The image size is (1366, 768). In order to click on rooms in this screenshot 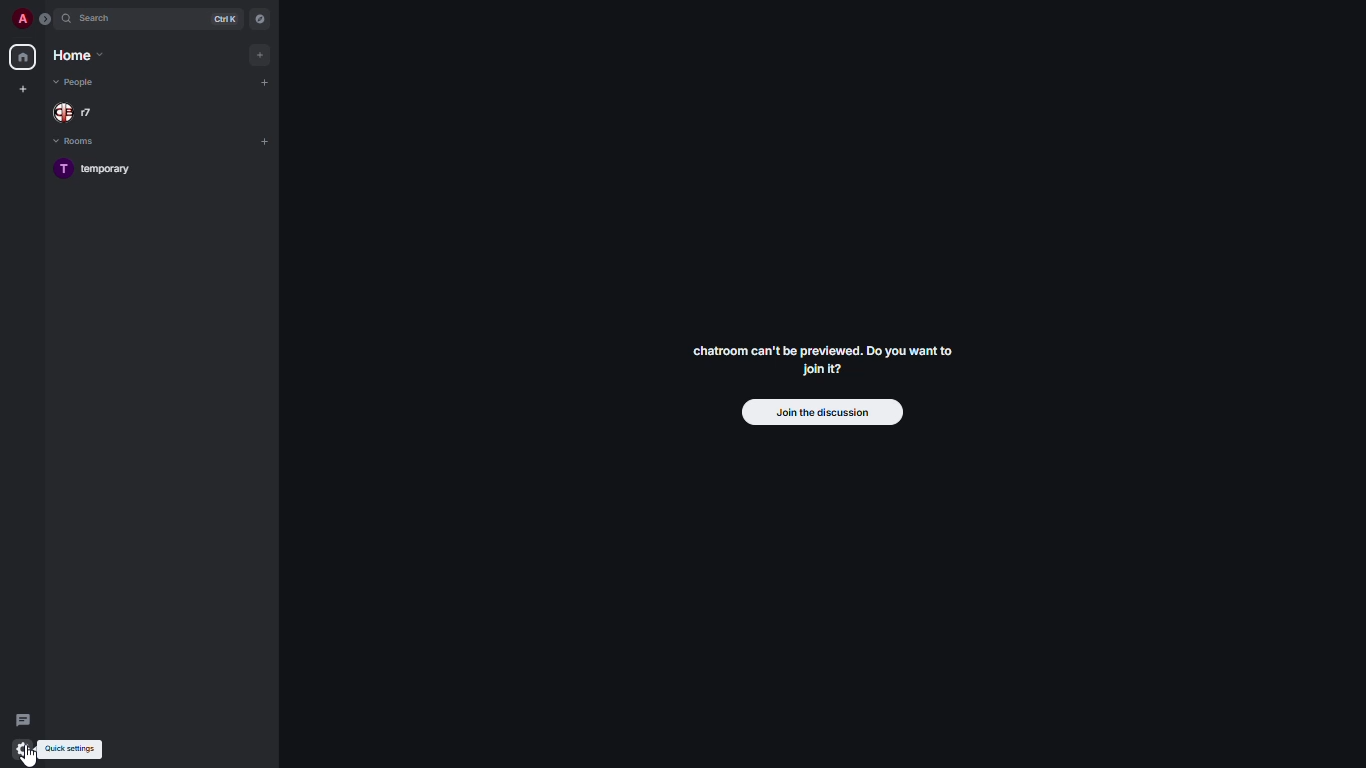, I will do `click(79, 142)`.